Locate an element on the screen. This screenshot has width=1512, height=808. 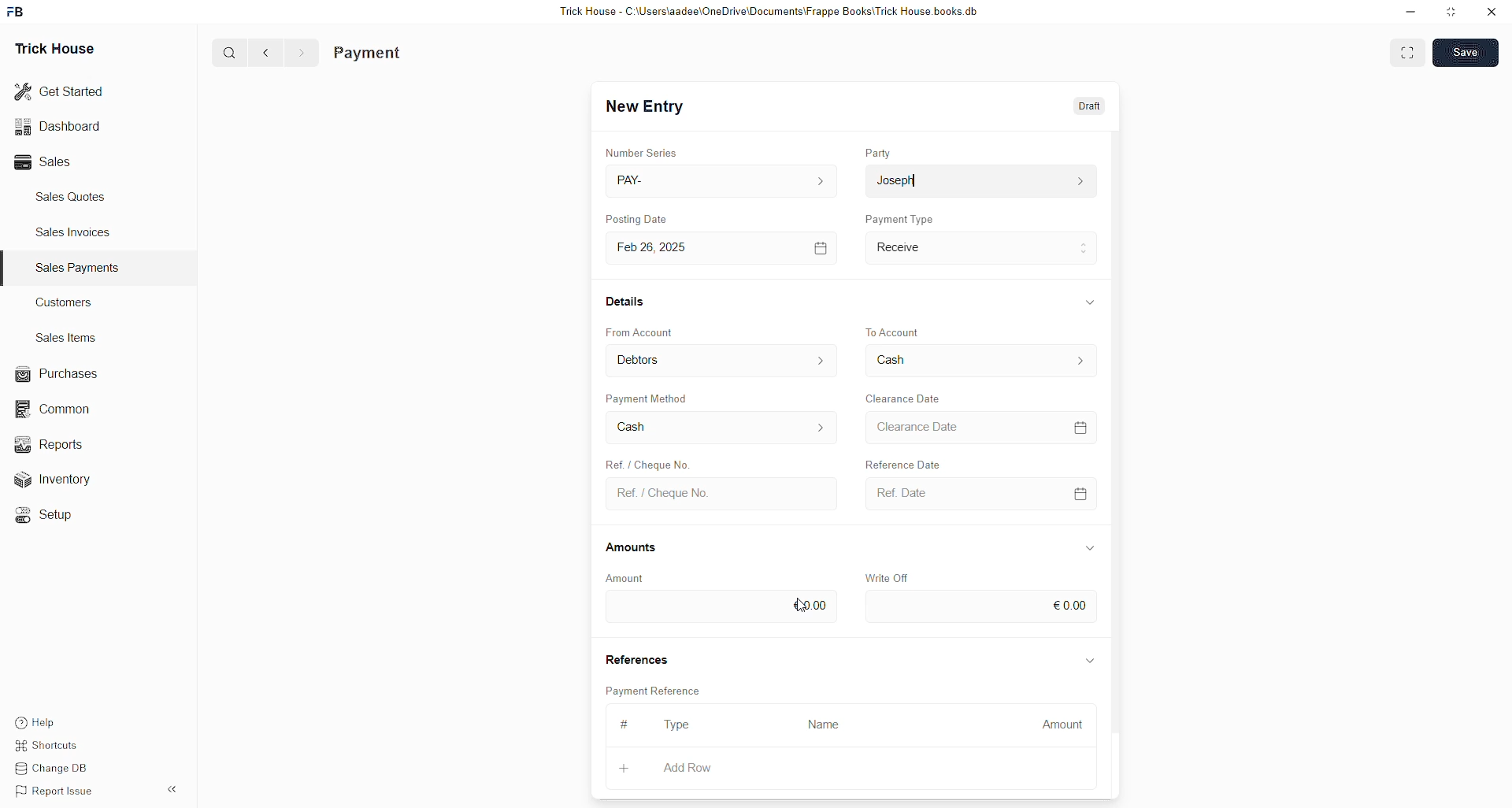
Party is located at coordinates (878, 152).